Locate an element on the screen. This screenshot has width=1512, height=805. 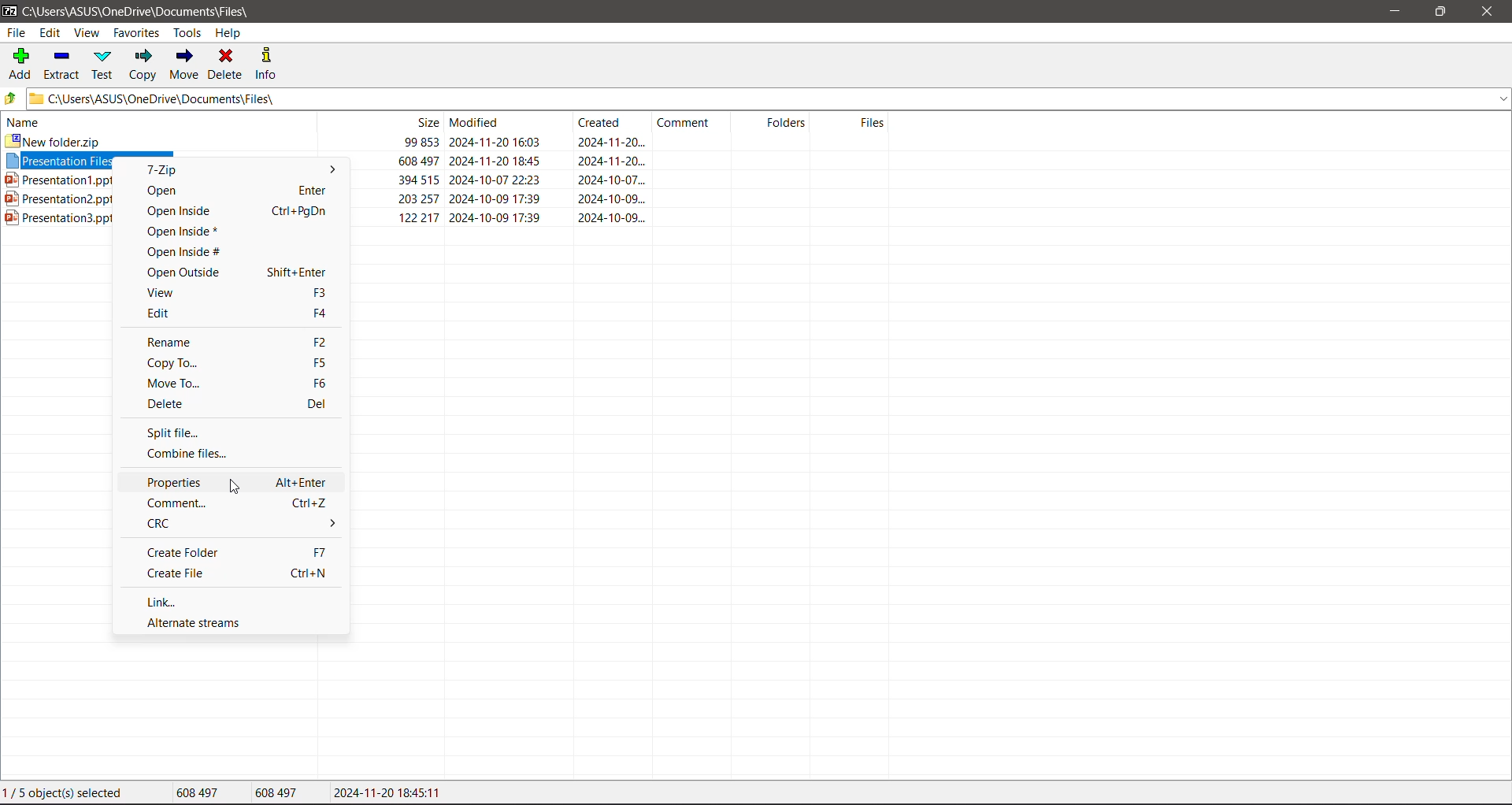
Name is located at coordinates (159, 123).